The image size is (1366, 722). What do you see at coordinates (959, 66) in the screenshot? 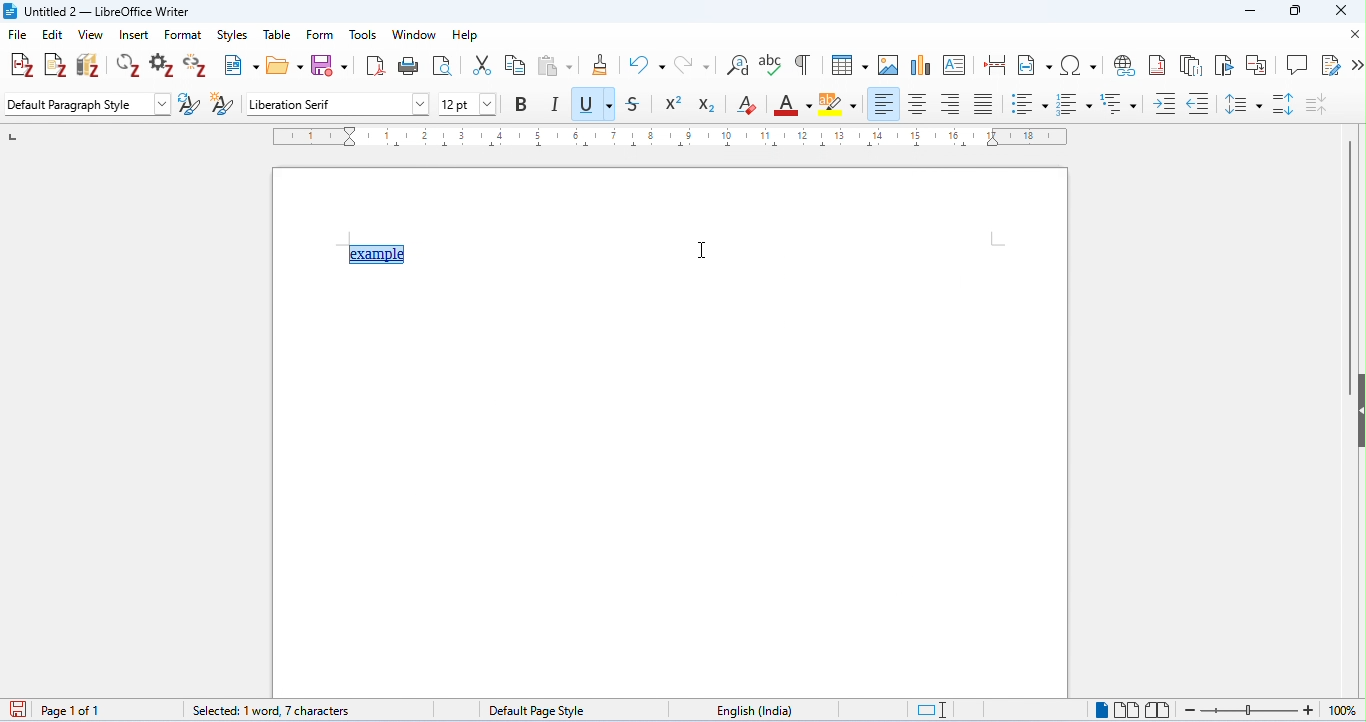
I see `insert text box` at bounding box center [959, 66].